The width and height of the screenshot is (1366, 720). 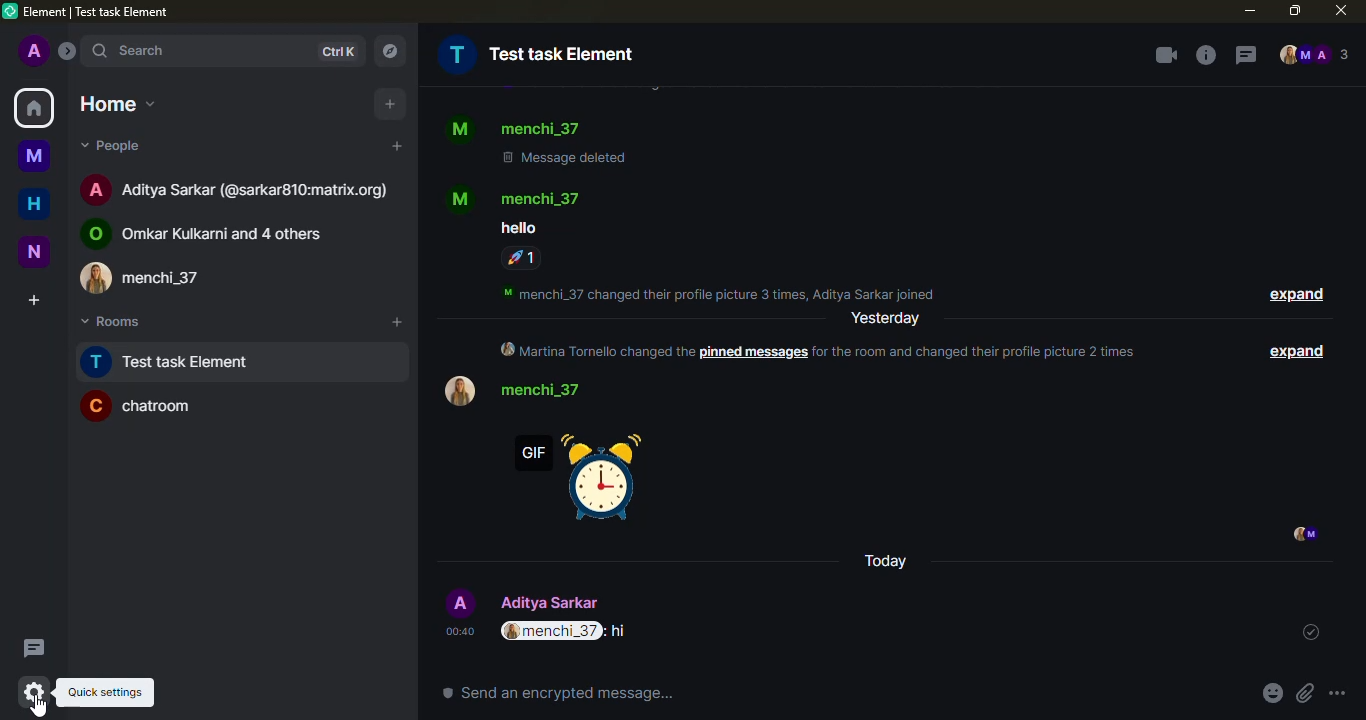 I want to click on video call, so click(x=1163, y=55).